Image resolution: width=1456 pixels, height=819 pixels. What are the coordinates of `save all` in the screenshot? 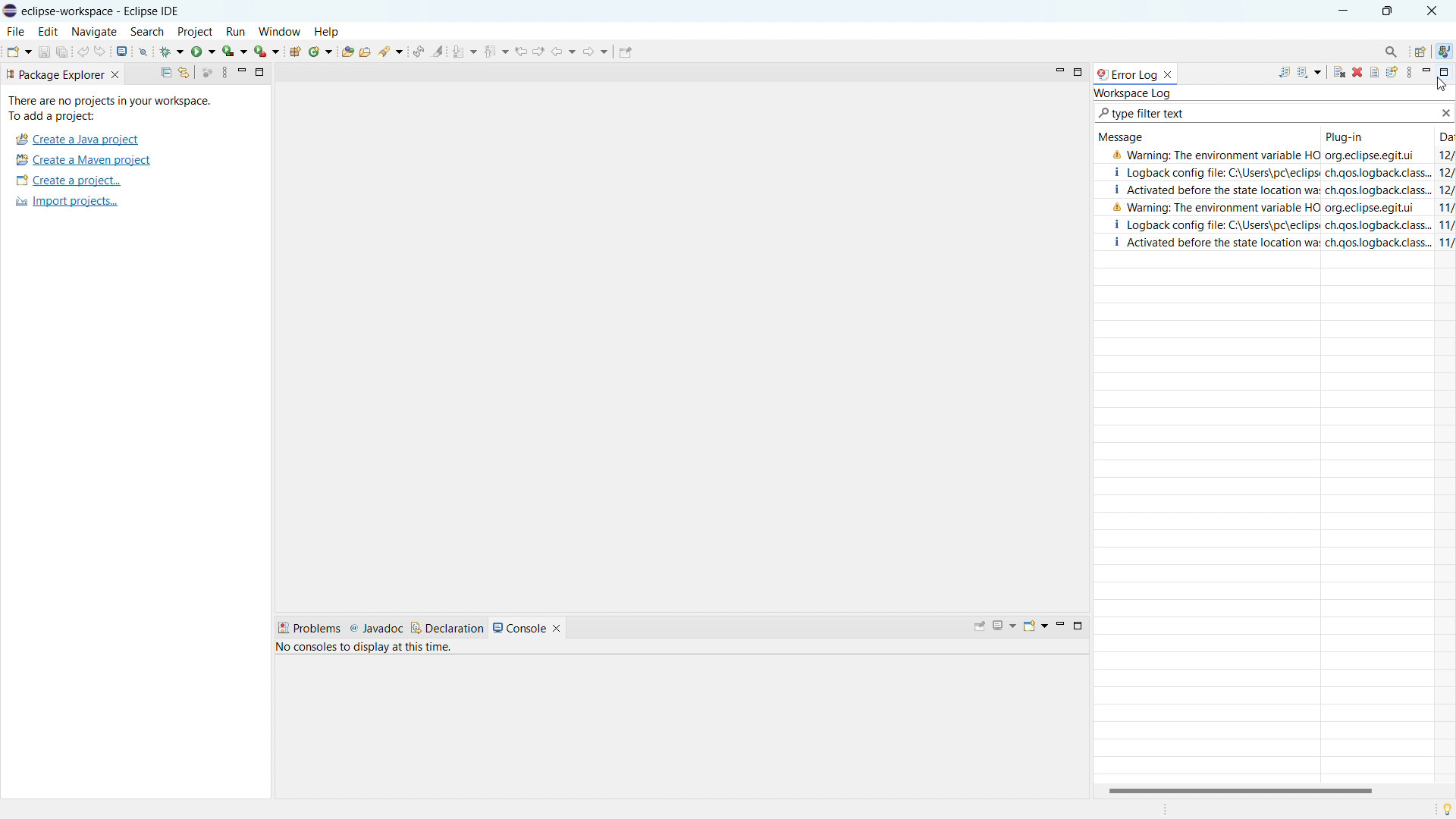 It's located at (62, 52).